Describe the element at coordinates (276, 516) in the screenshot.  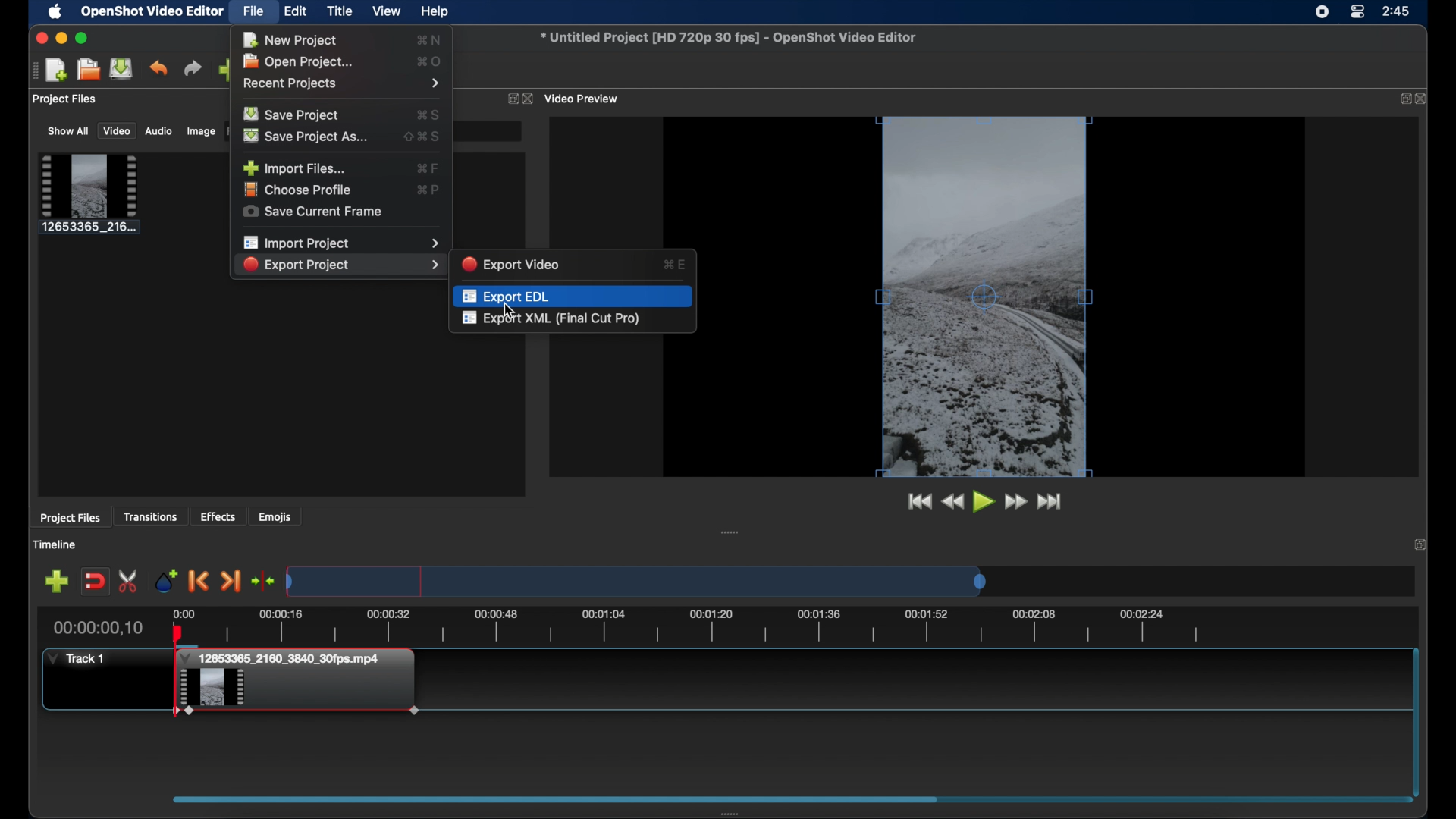
I see `emojis` at that location.